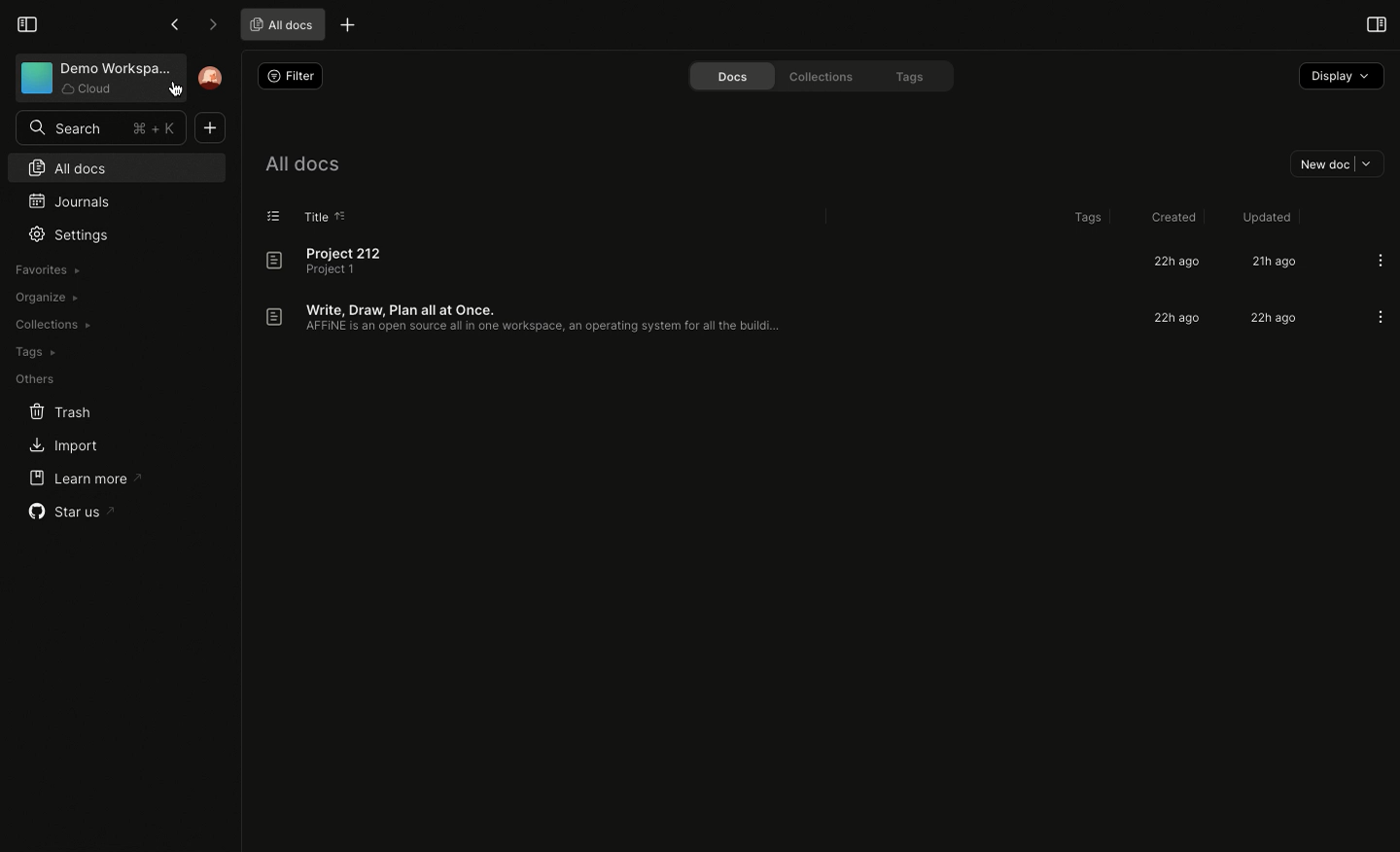 This screenshot has width=1400, height=852. Describe the element at coordinates (67, 199) in the screenshot. I see `Journals` at that location.